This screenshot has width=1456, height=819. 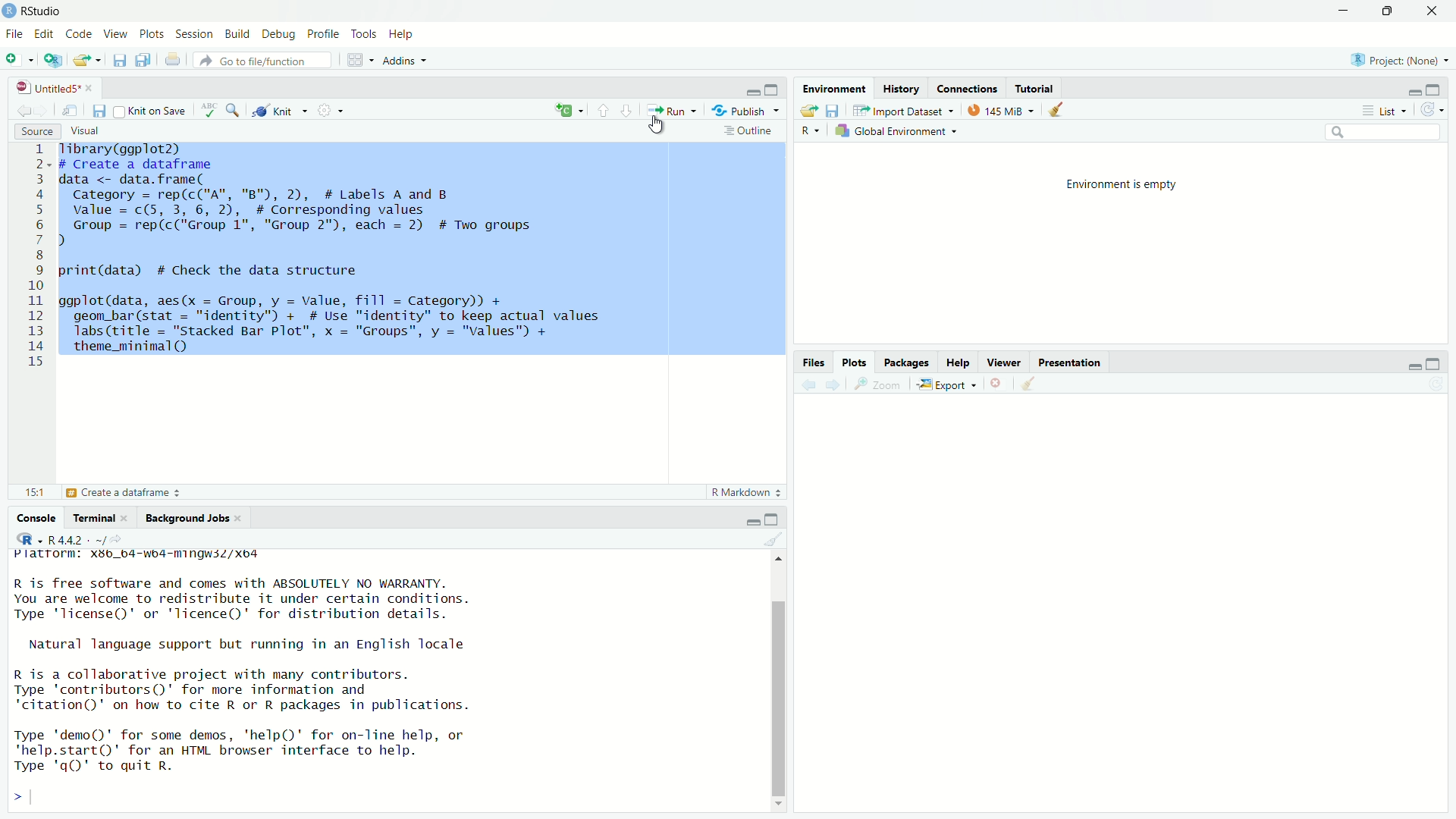 I want to click on Scrollbar, so click(x=779, y=691).